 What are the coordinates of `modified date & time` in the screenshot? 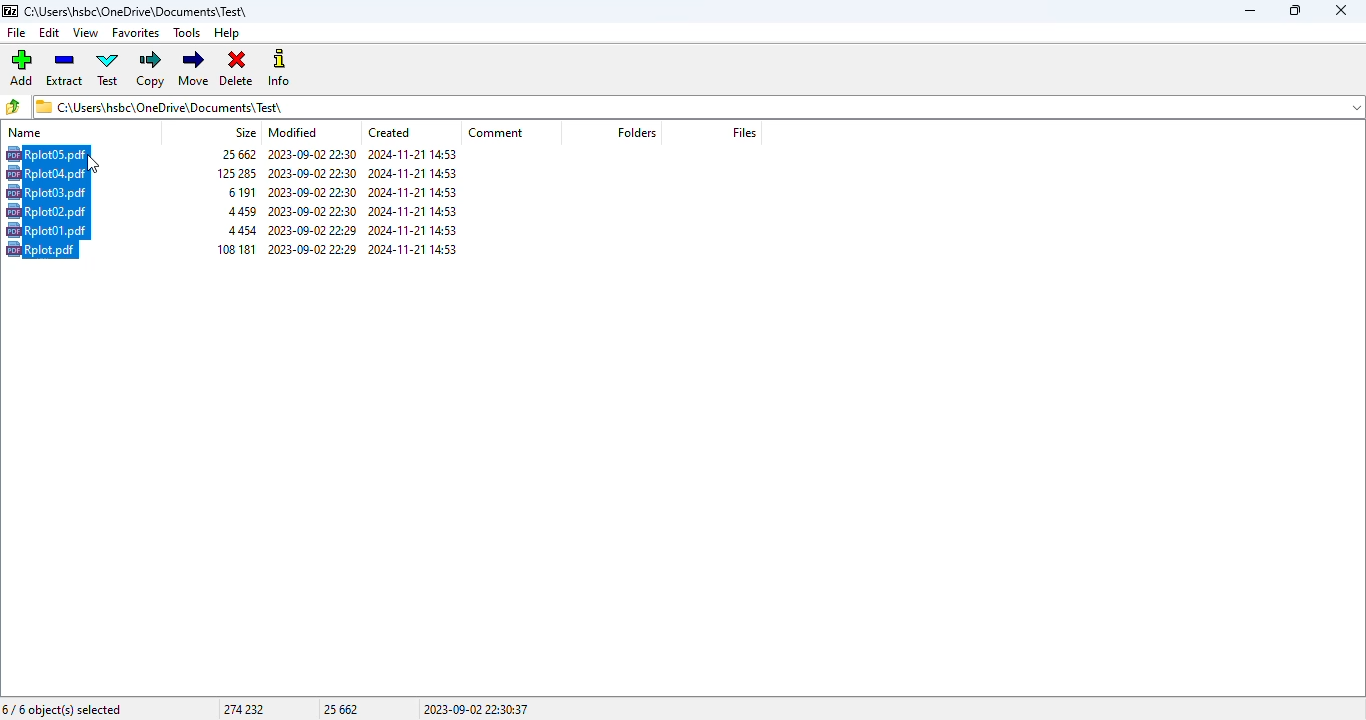 It's located at (314, 173).